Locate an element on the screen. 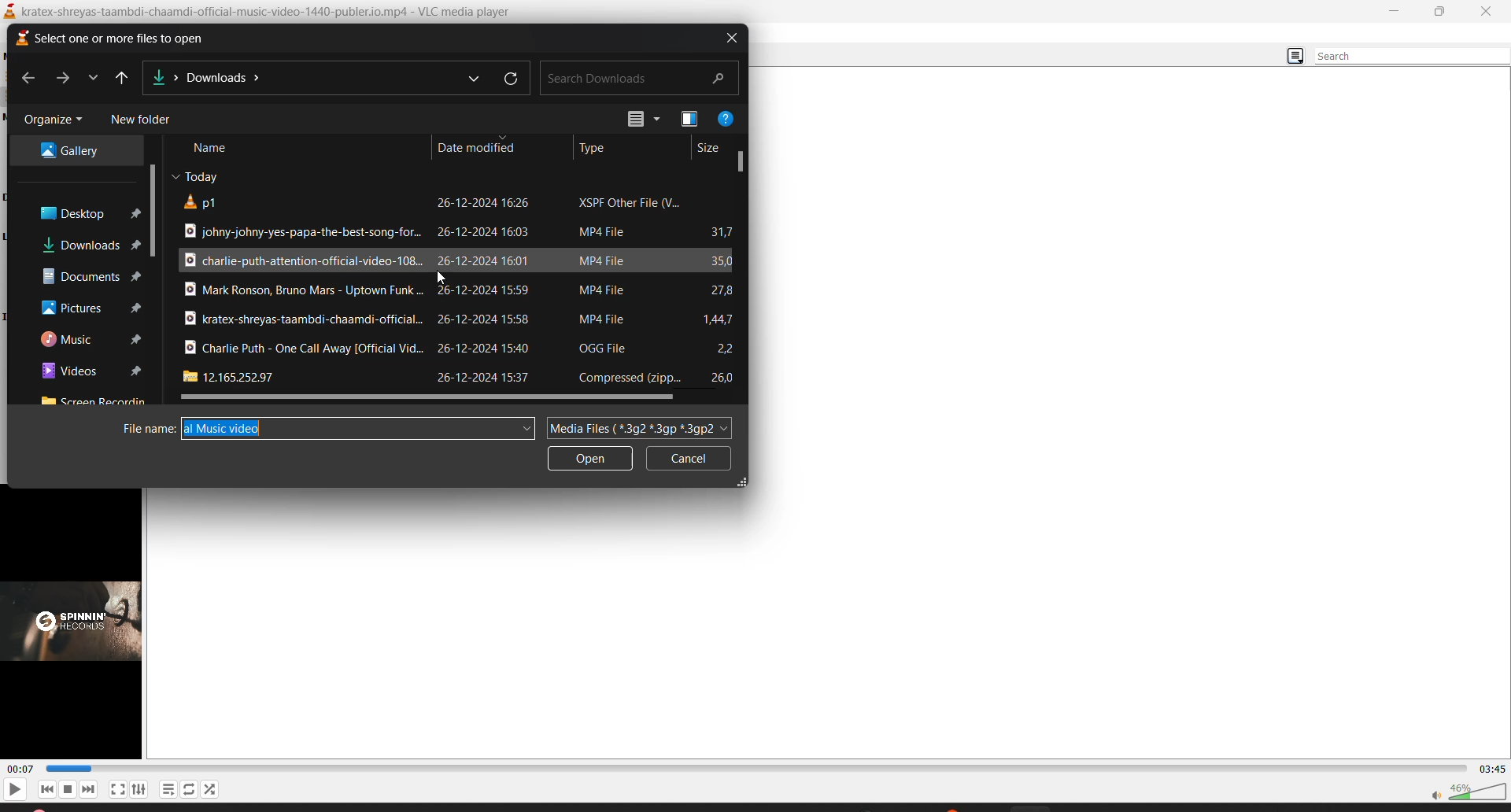 The image size is (1511, 812). file type is located at coordinates (623, 377).